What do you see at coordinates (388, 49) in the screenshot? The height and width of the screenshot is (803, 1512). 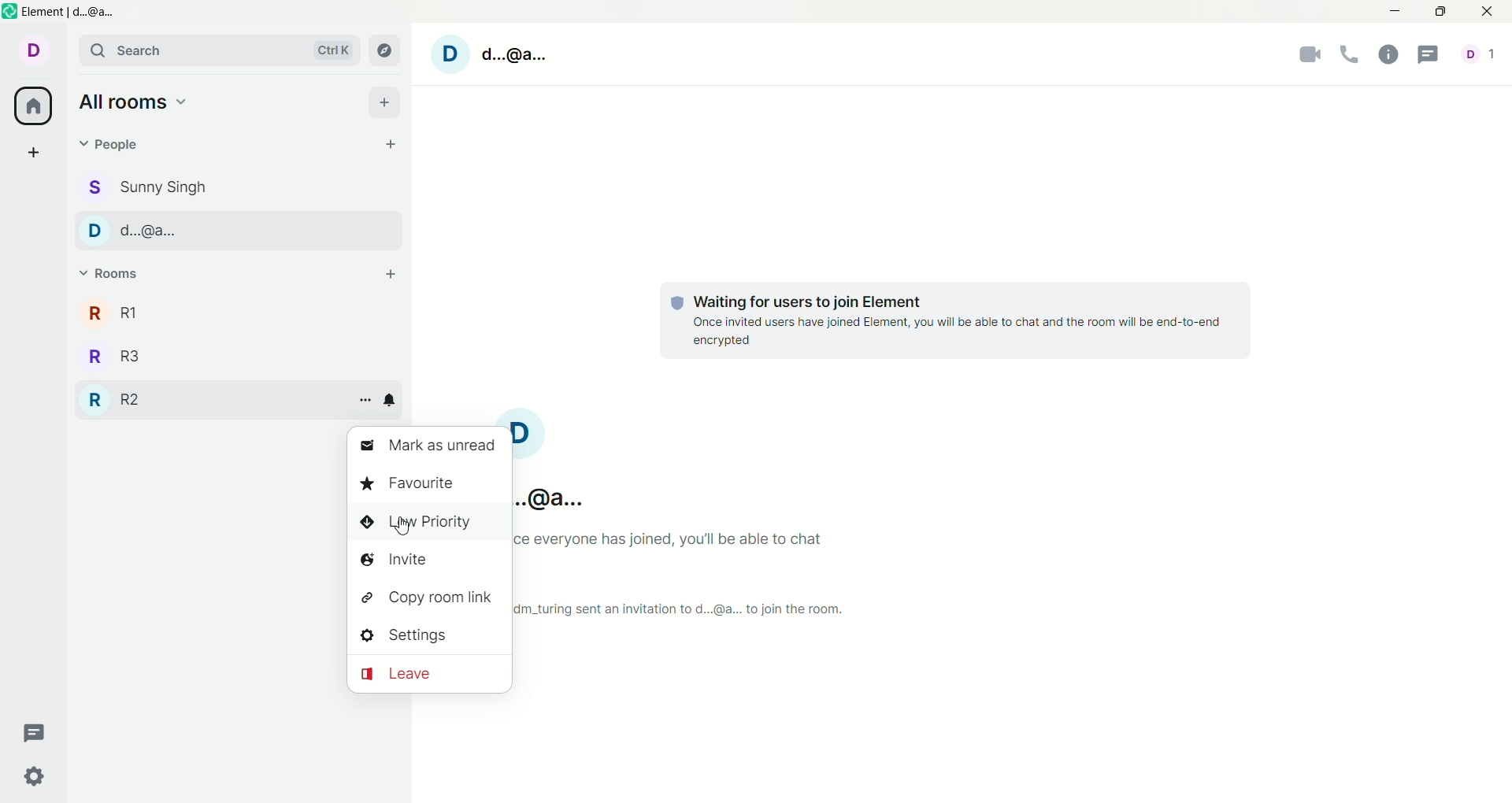 I see `explore rooms` at bounding box center [388, 49].